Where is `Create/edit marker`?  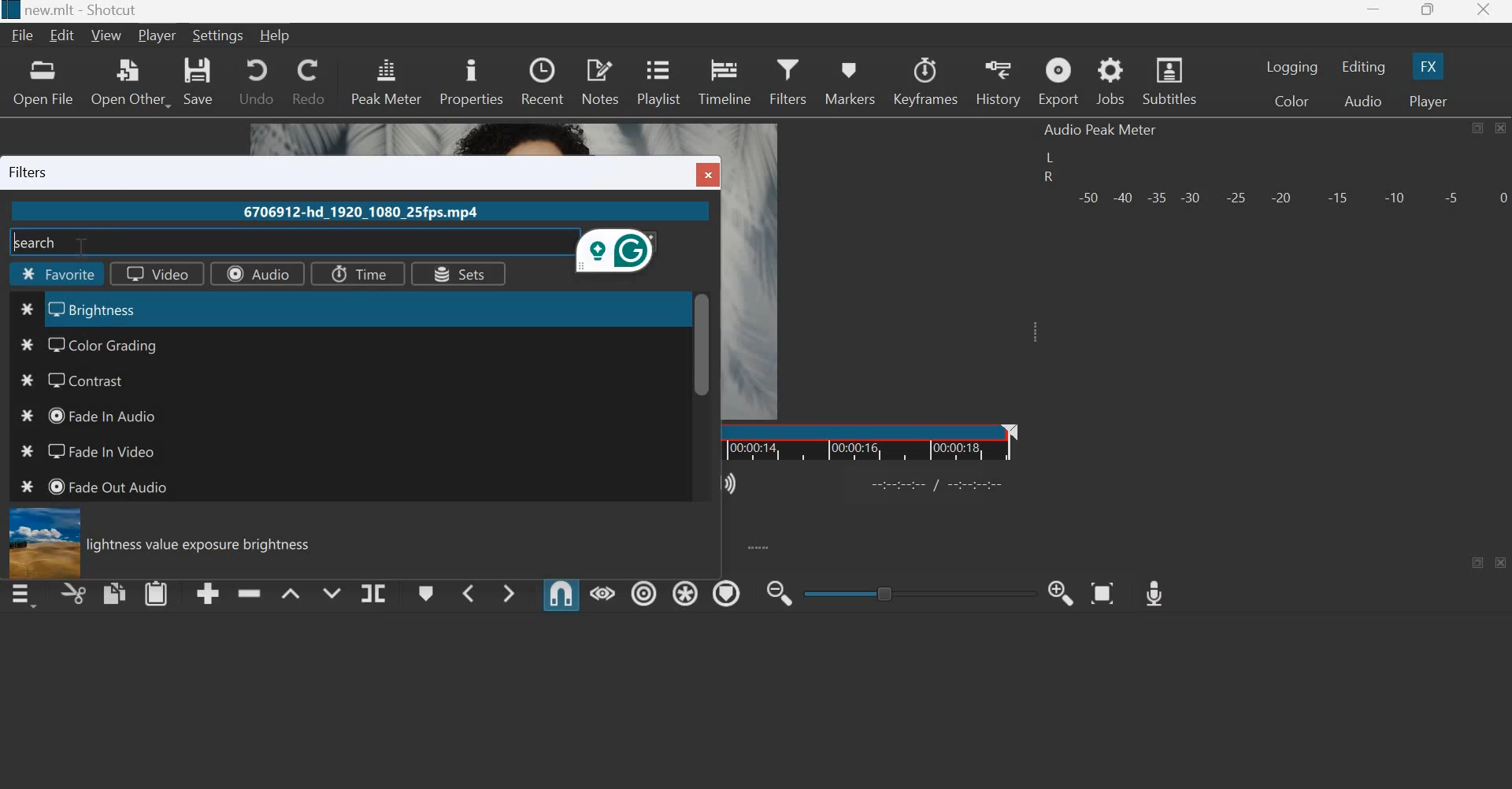 Create/edit marker is located at coordinates (427, 594).